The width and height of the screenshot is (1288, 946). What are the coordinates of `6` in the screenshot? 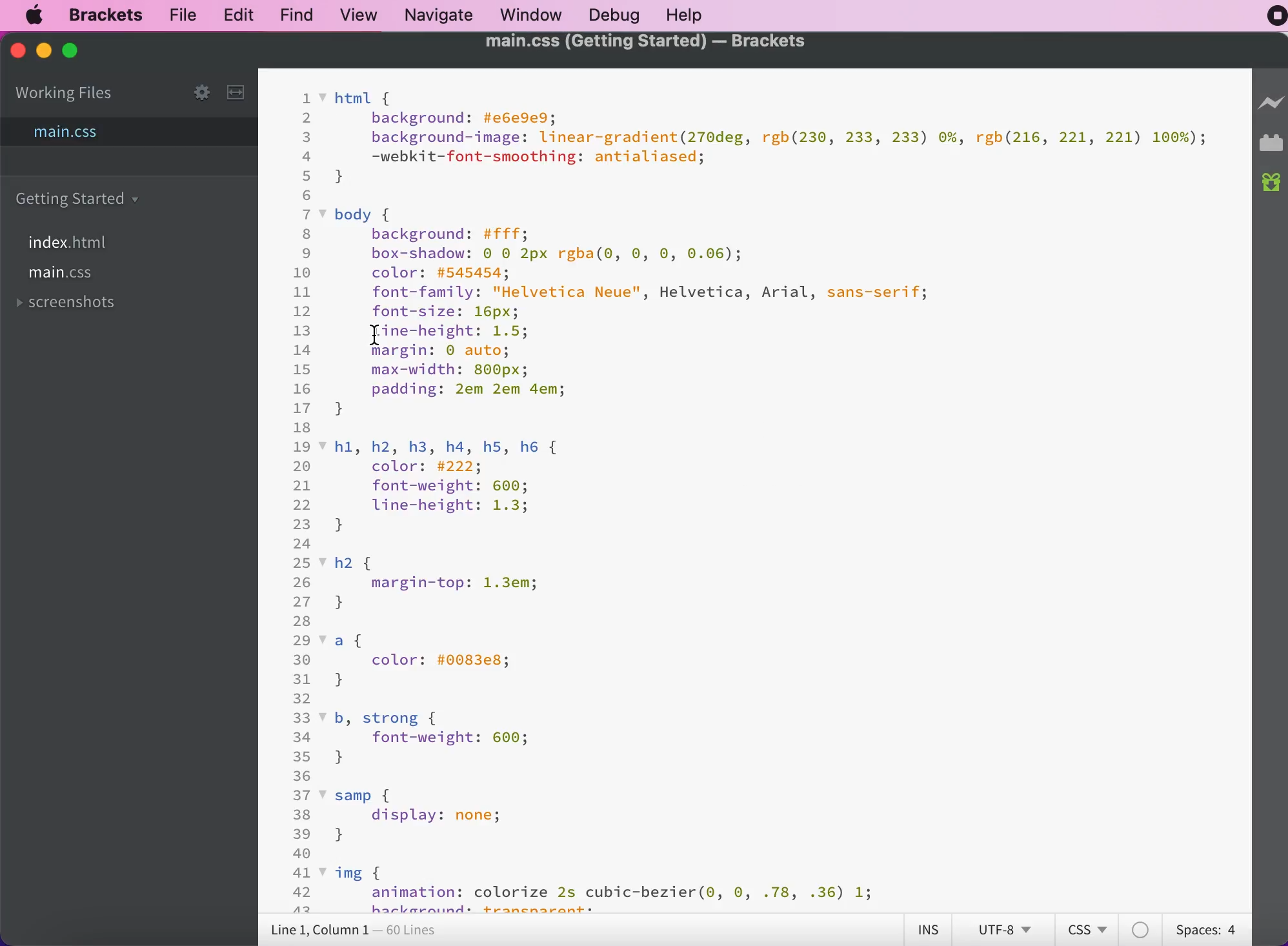 It's located at (306, 196).